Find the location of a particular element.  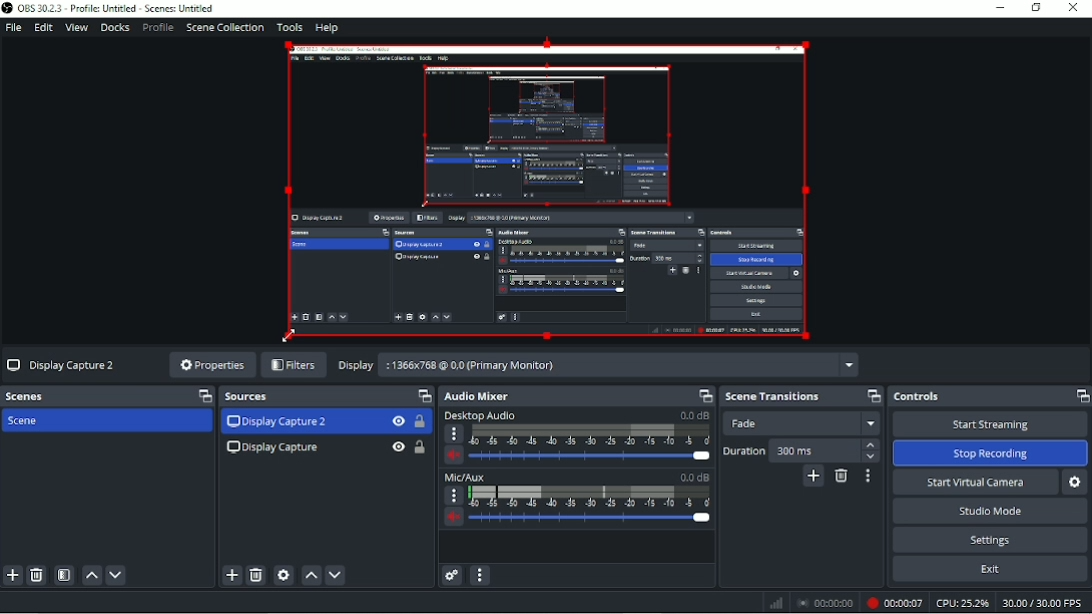

Sources is located at coordinates (253, 398).